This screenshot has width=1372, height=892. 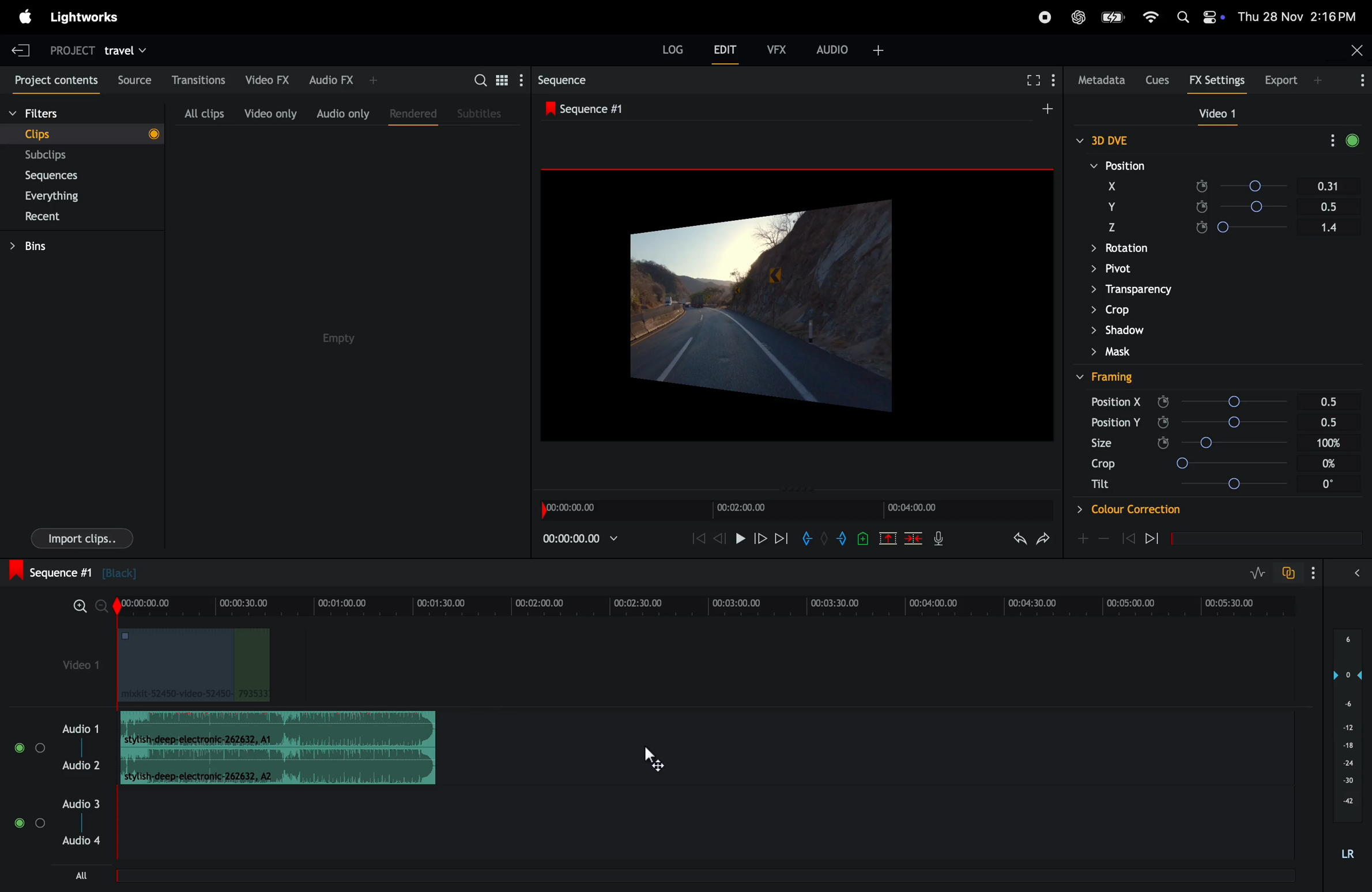 What do you see at coordinates (793, 508) in the screenshot?
I see `timeframe` at bounding box center [793, 508].